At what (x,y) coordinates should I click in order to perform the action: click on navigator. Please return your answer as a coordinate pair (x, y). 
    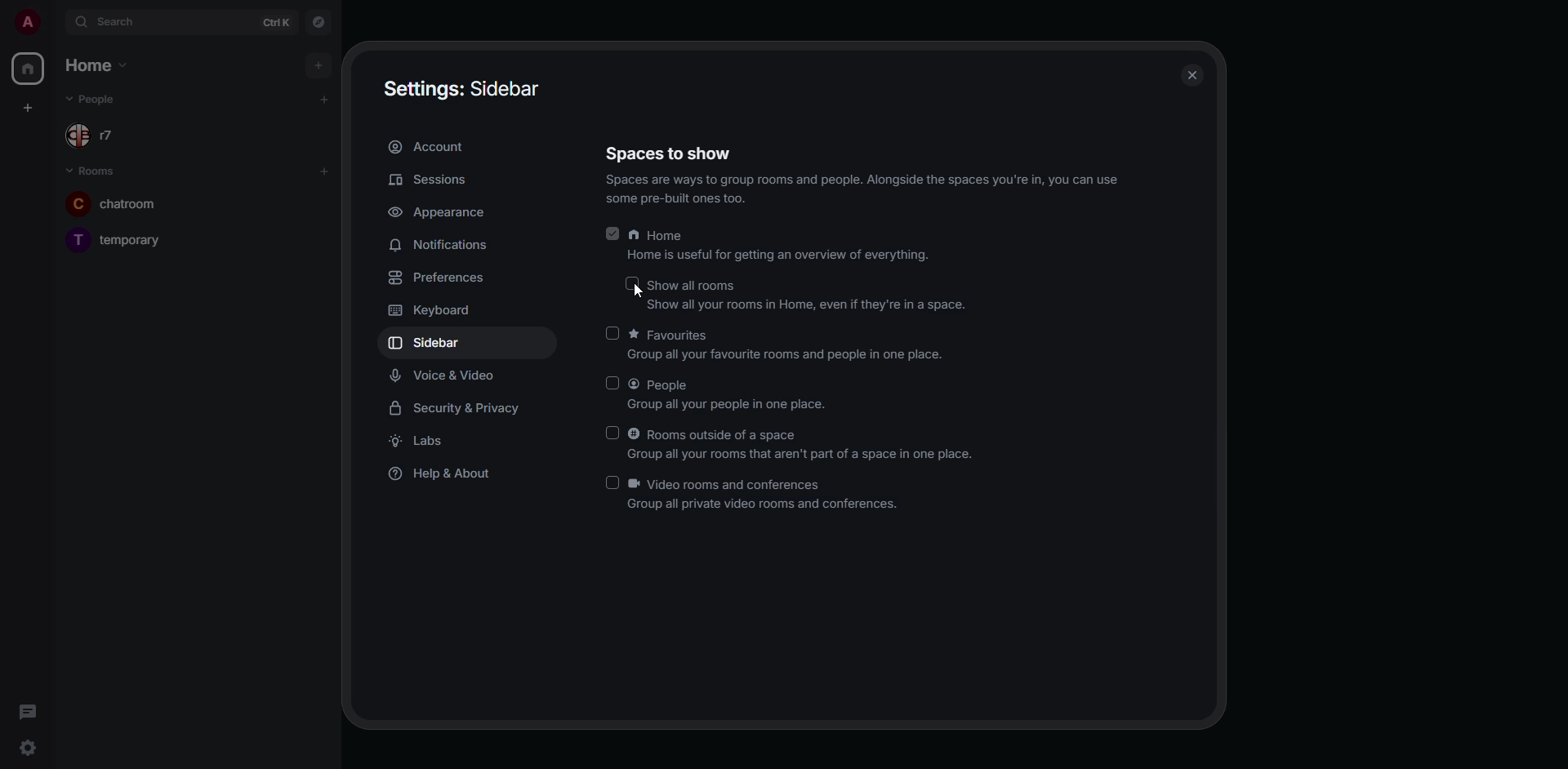
    Looking at the image, I should click on (318, 23).